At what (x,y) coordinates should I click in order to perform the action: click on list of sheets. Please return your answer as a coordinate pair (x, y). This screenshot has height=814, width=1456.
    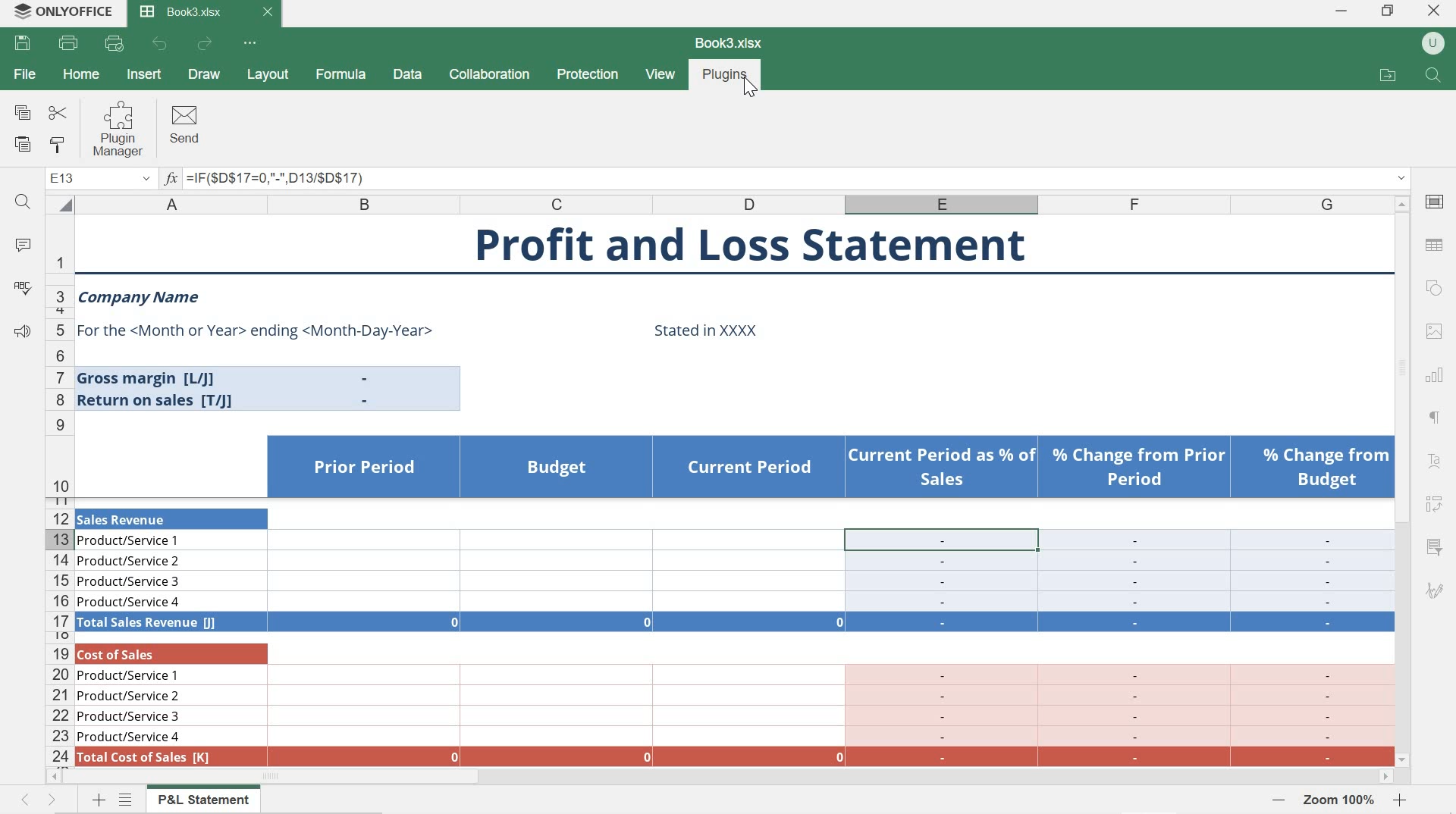
    Looking at the image, I should click on (129, 800).